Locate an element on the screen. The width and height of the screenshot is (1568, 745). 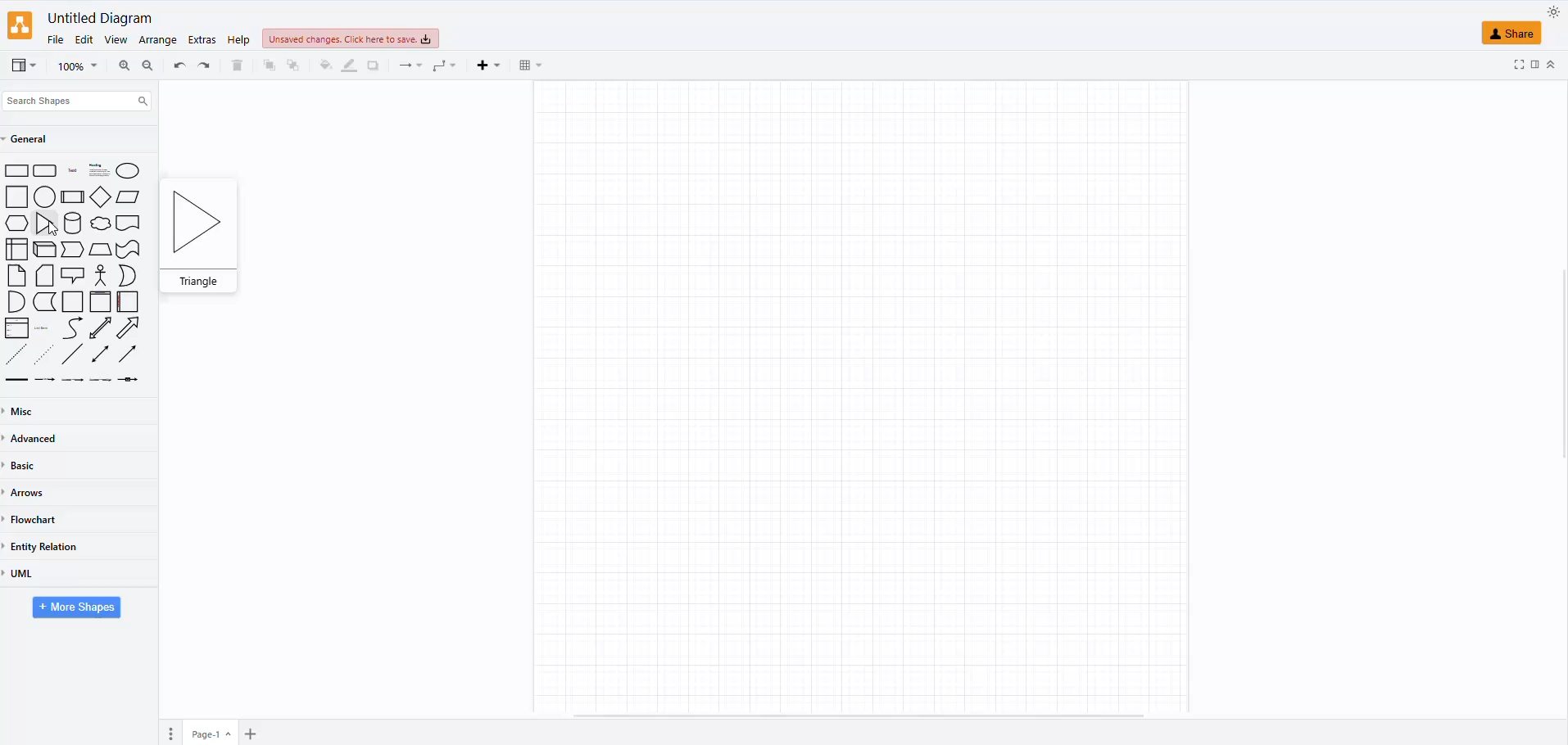
Table is located at coordinates (16, 249).